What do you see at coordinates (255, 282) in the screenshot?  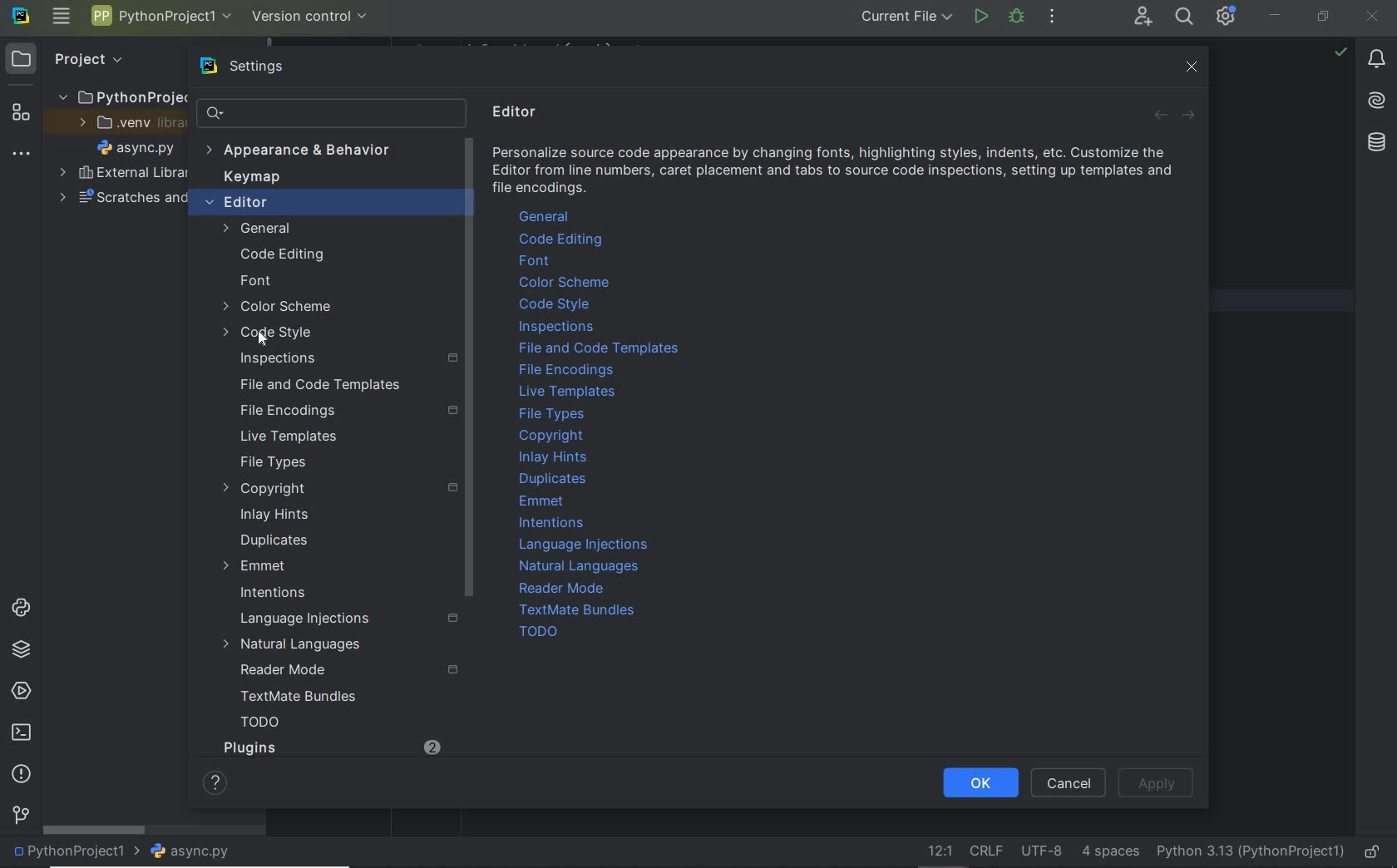 I see `font` at bounding box center [255, 282].